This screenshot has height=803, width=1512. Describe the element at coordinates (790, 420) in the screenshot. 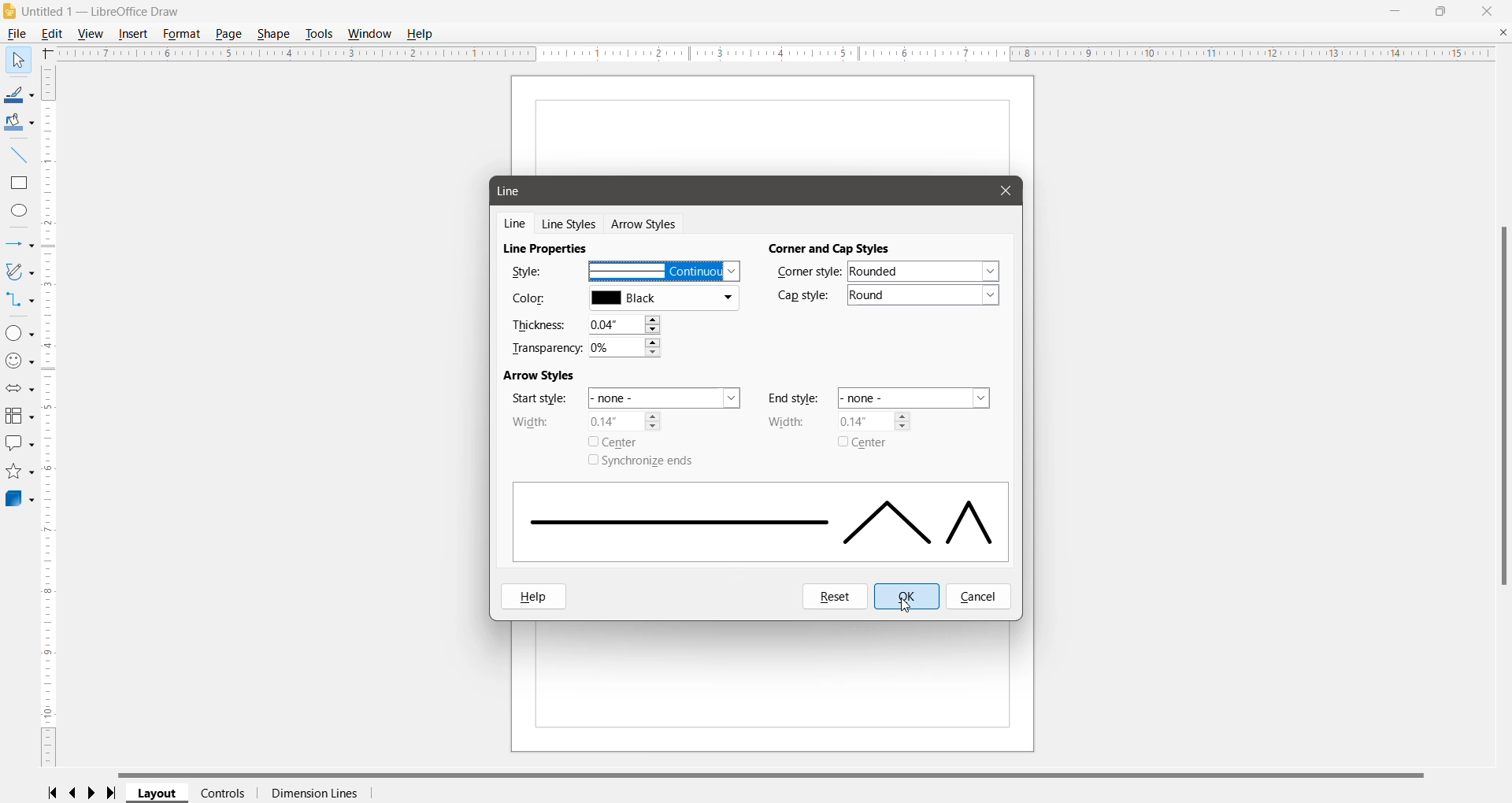

I see `Width` at that location.